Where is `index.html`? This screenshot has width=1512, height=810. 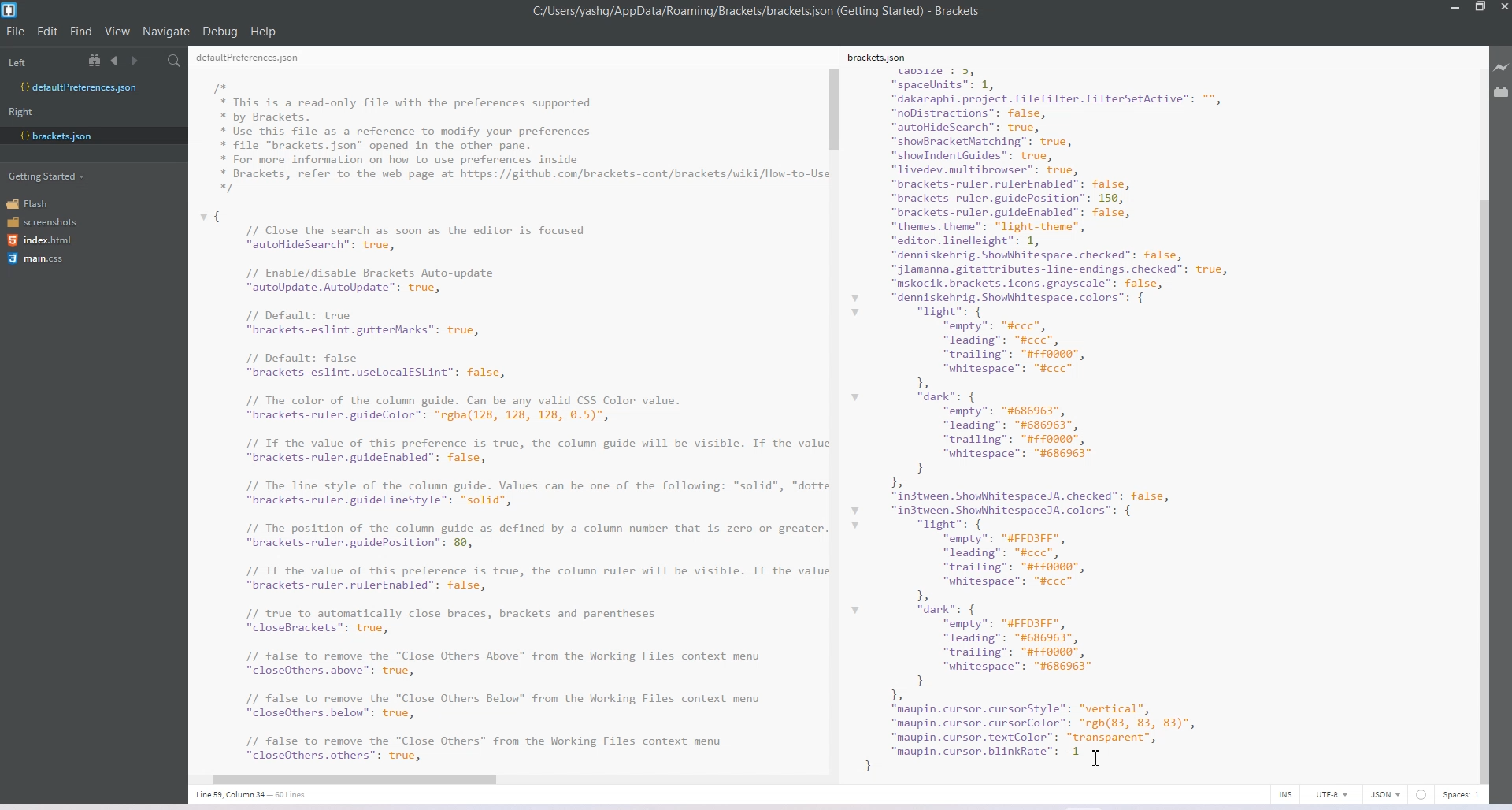 index.html is located at coordinates (45, 240).